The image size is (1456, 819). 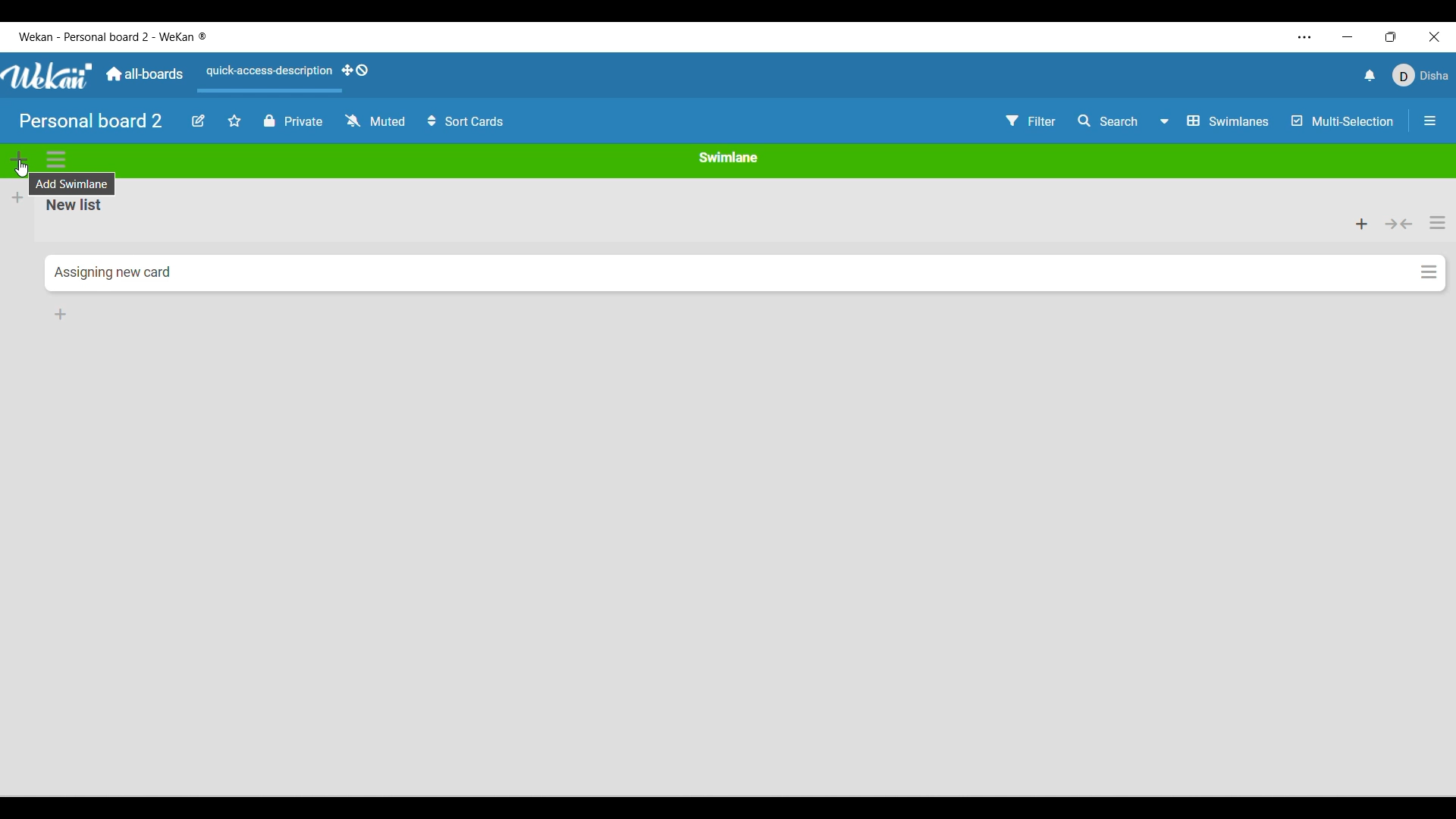 What do you see at coordinates (1429, 272) in the screenshot?
I see `Card options` at bounding box center [1429, 272].